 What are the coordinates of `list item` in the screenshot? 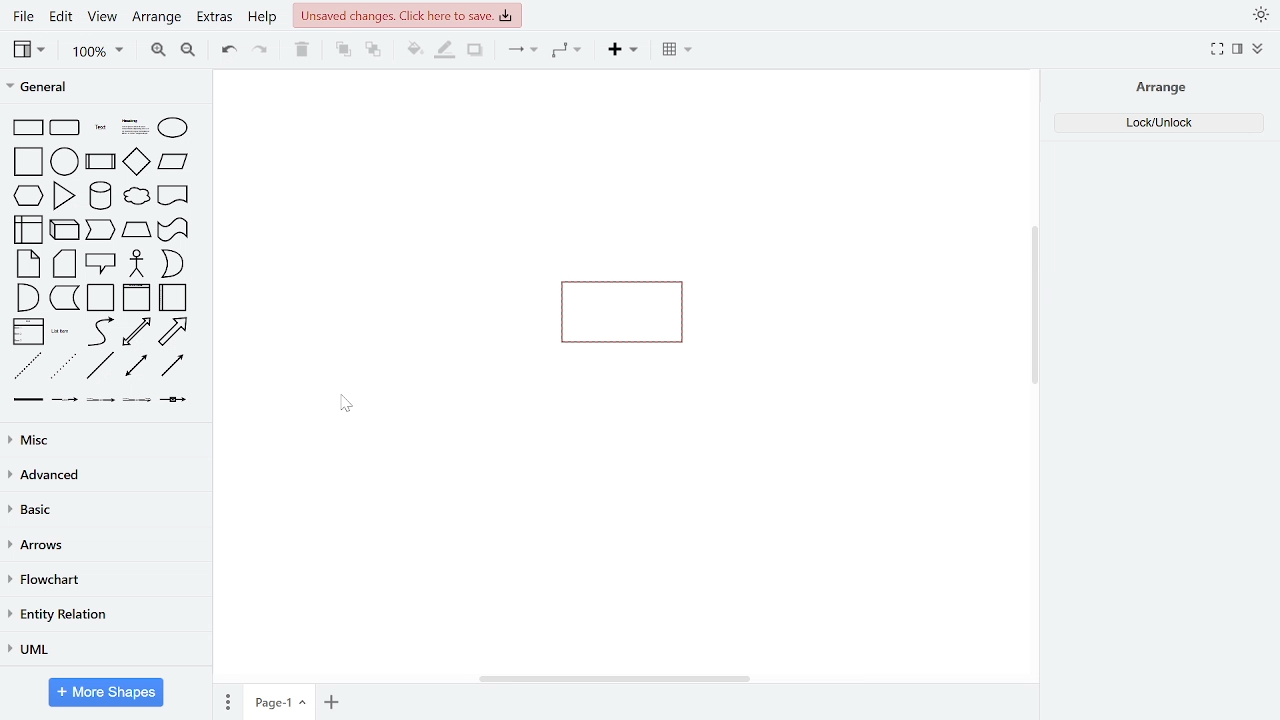 It's located at (62, 333).